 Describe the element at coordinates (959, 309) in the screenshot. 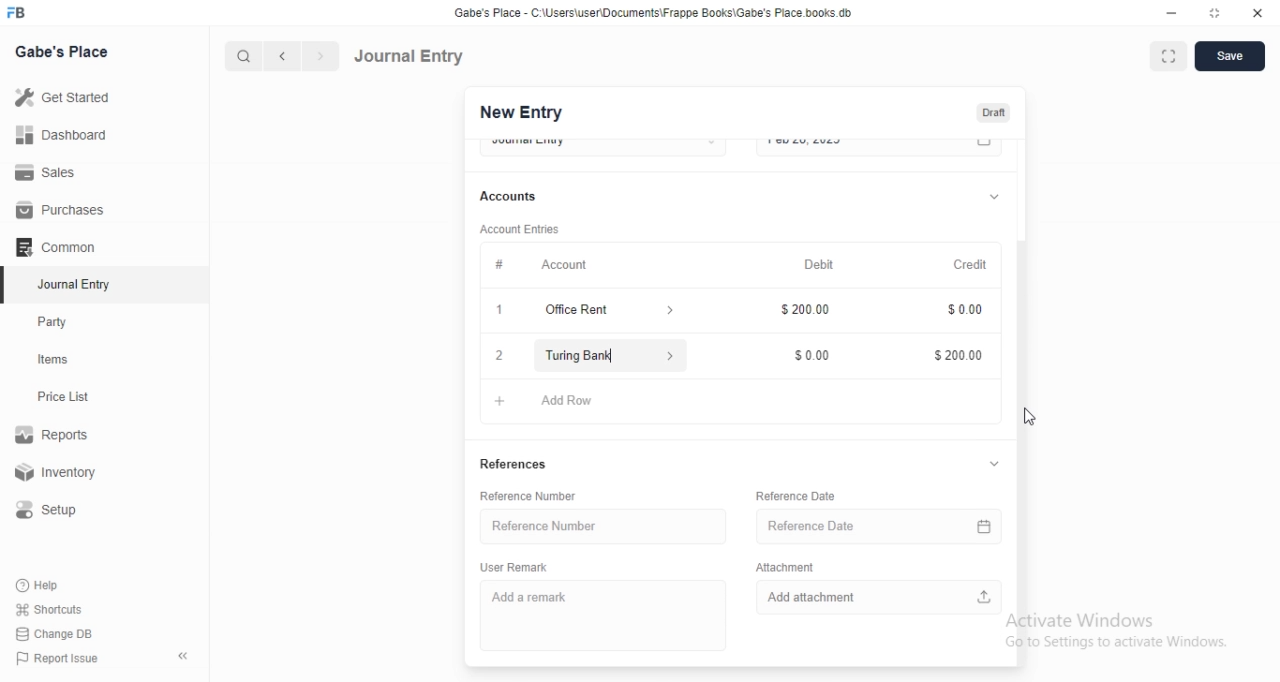

I see `` at that location.